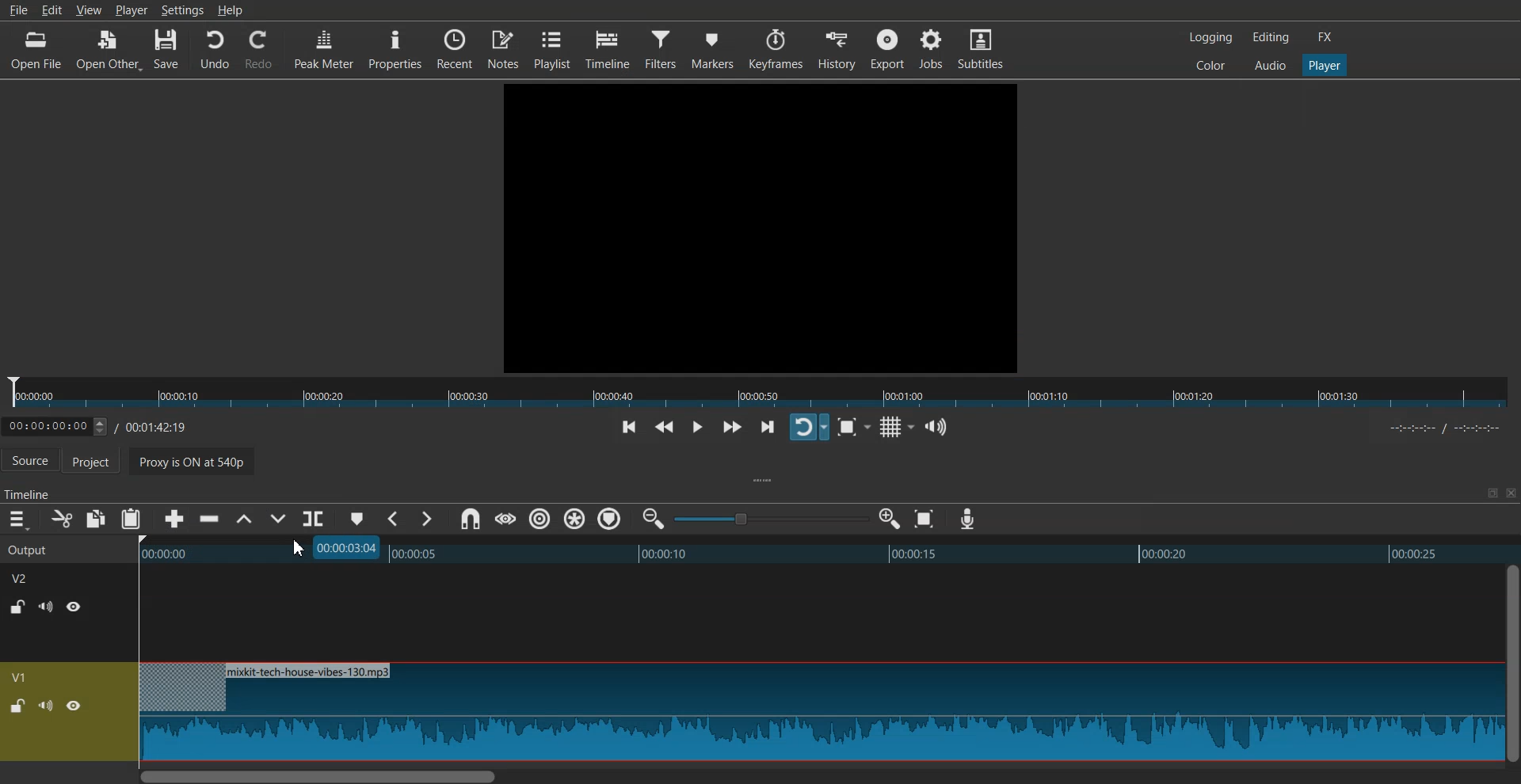 Image resolution: width=1521 pixels, height=784 pixels. I want to click on Maximize, so click(1492, 493).